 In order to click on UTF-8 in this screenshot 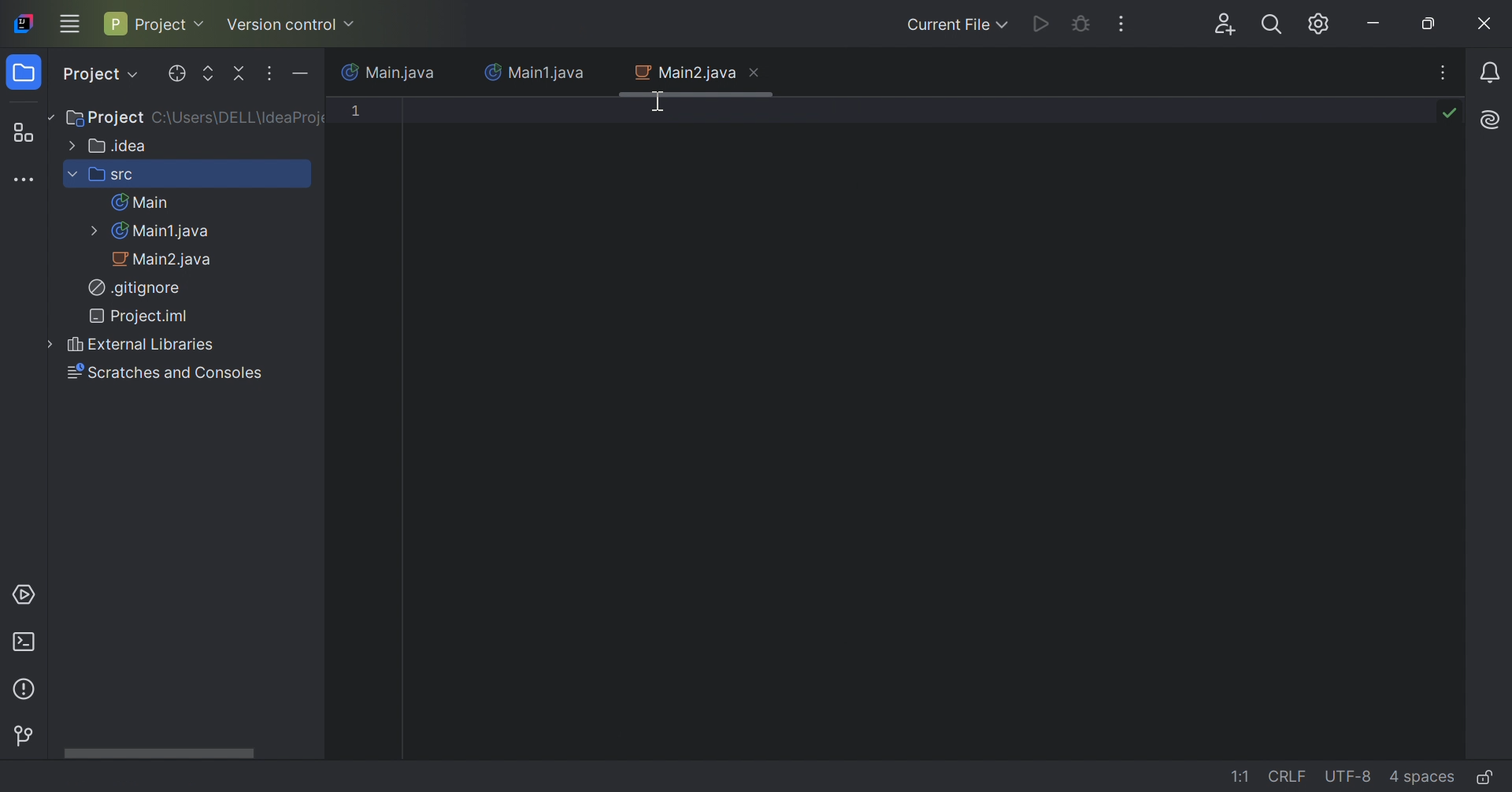, I will do `click(1349, 778)`.